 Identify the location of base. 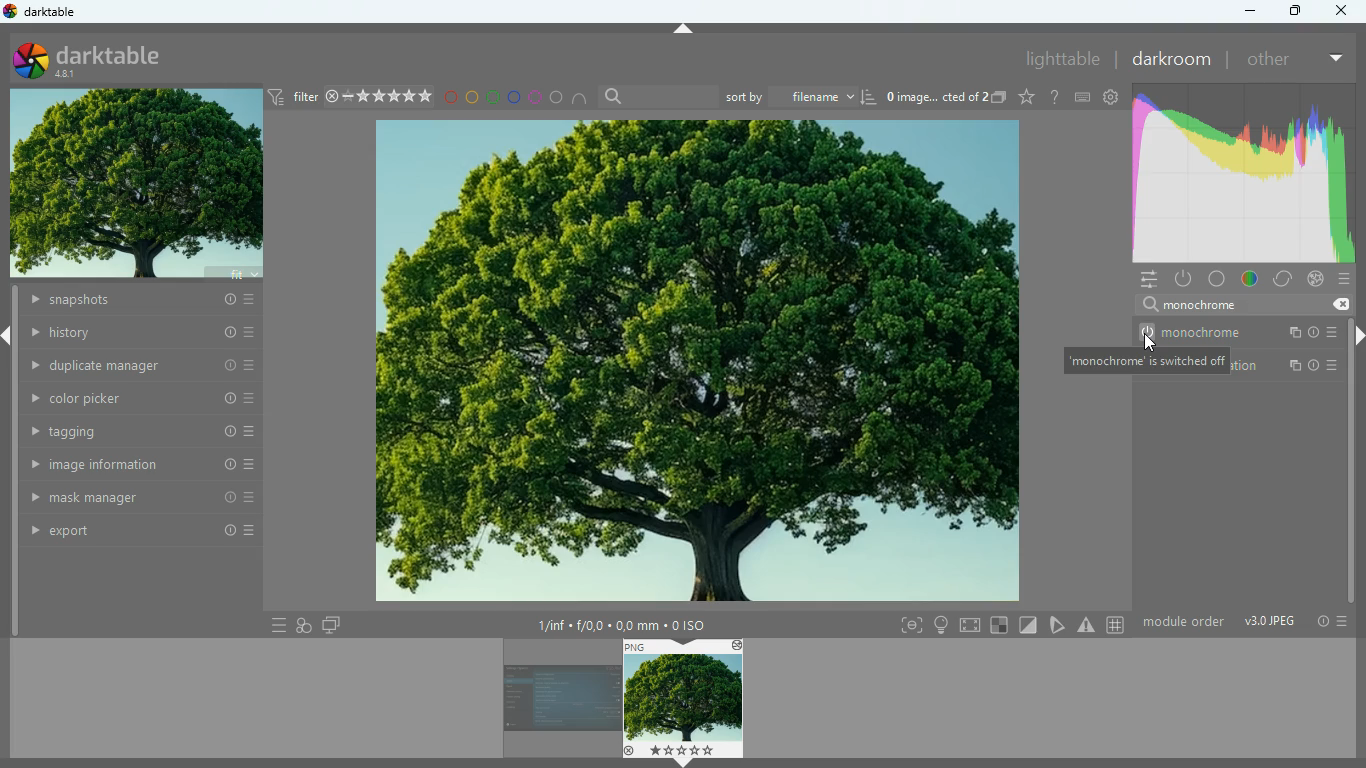
(1214, 278).